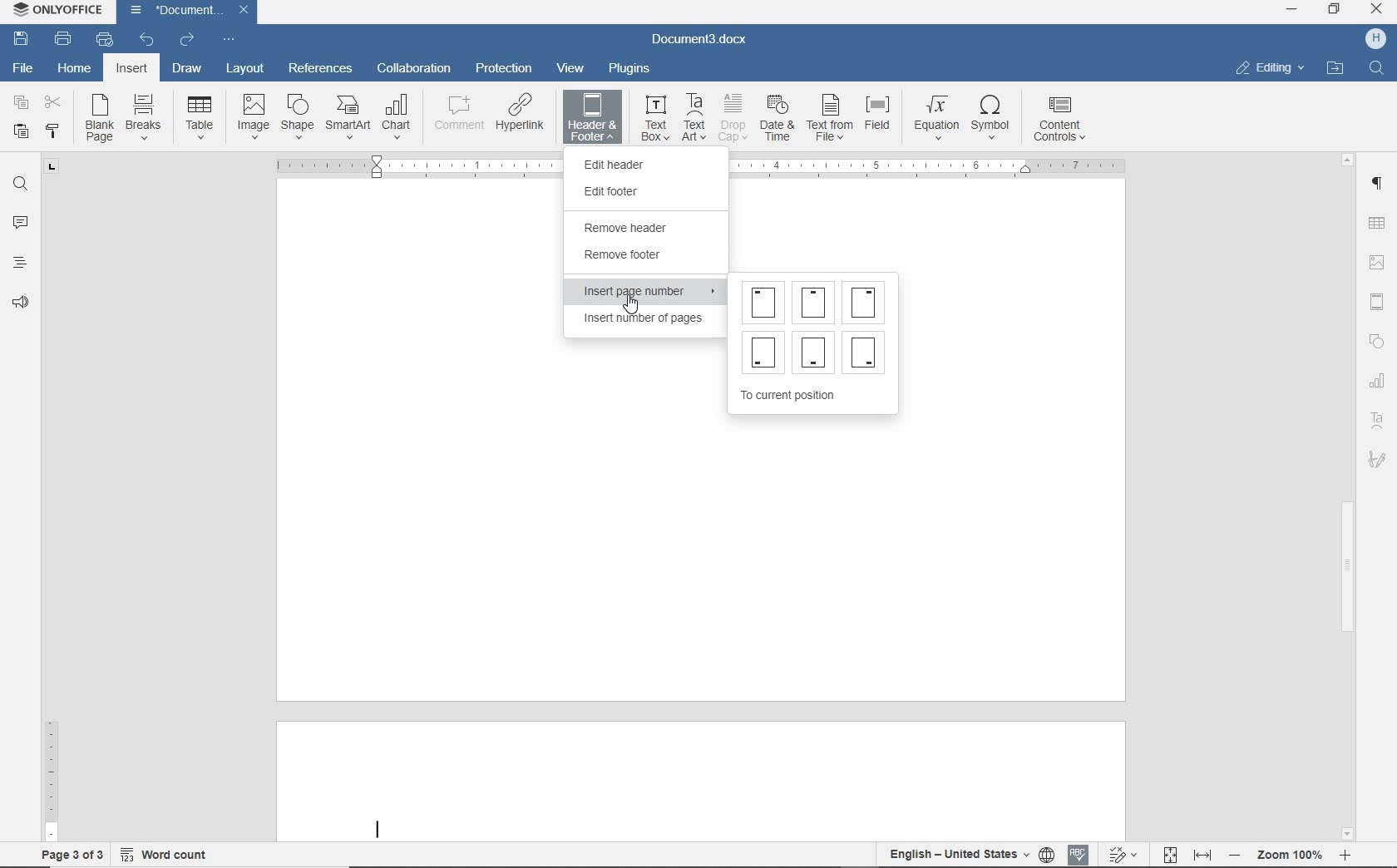 This screenshot has width=1397, height=868. What do you see at coordinates (648, 293) in the screenshot?
I see `INSERT PAGE NUMBER` at bounding box center [648, 293].